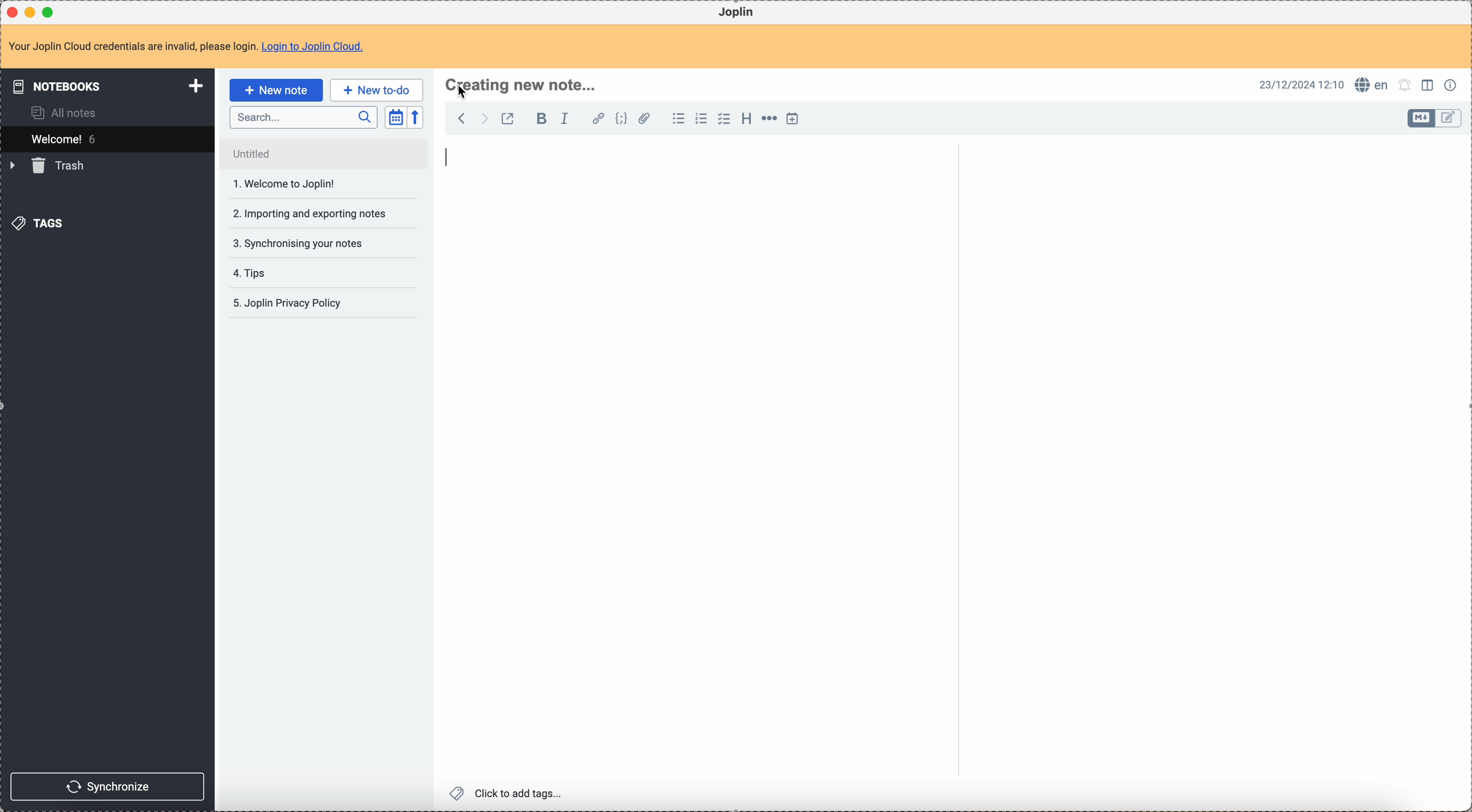 This screenshot has height=812, width=1472. What do you see at coordinates (105, 85) in the screenshot?
I see `notebooks` at bounding box center [105, 85].